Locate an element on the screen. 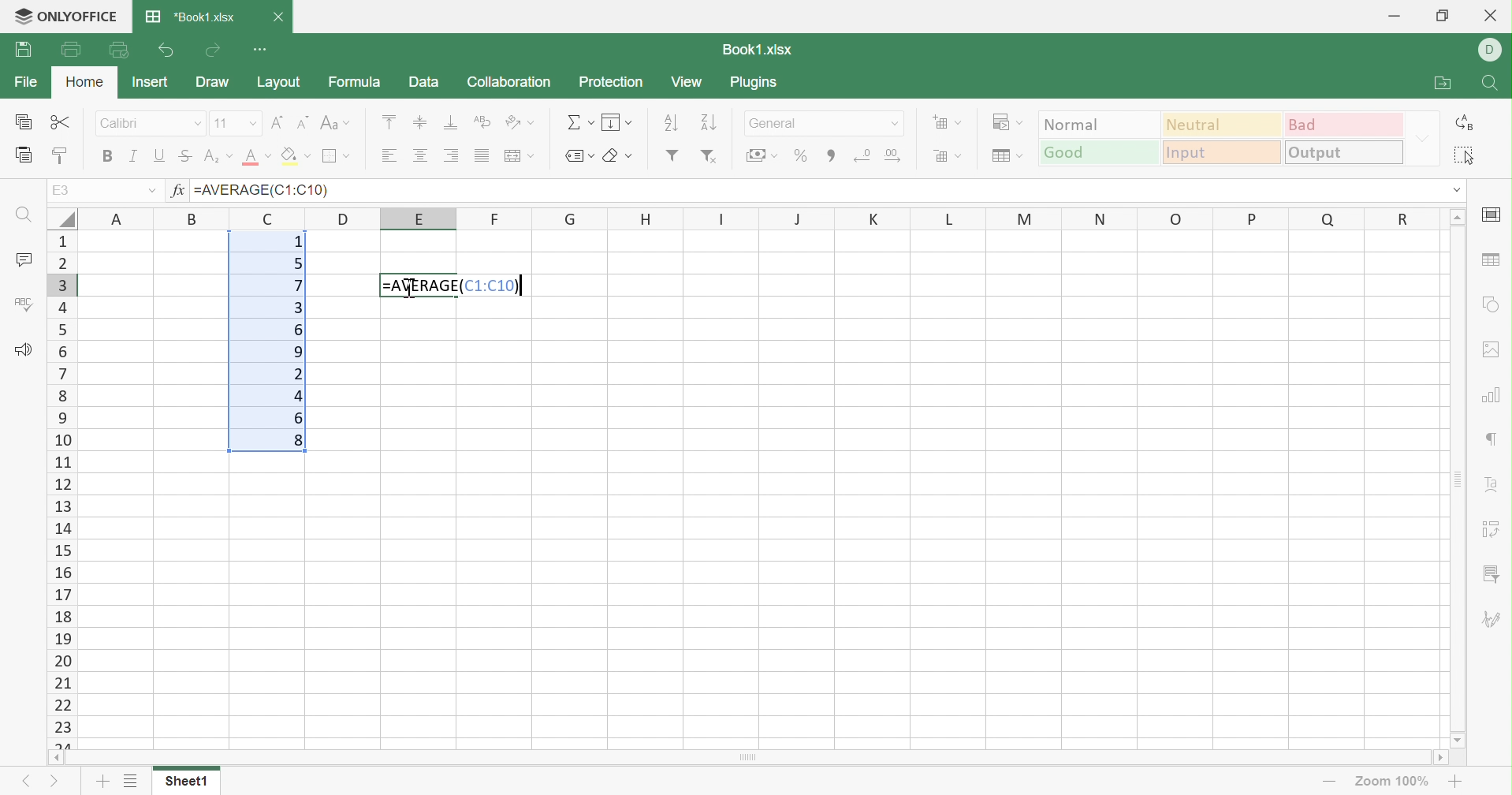 The height and width of the screenshot is (795, 1512). Image settings is located at coordinates (1495, 348).